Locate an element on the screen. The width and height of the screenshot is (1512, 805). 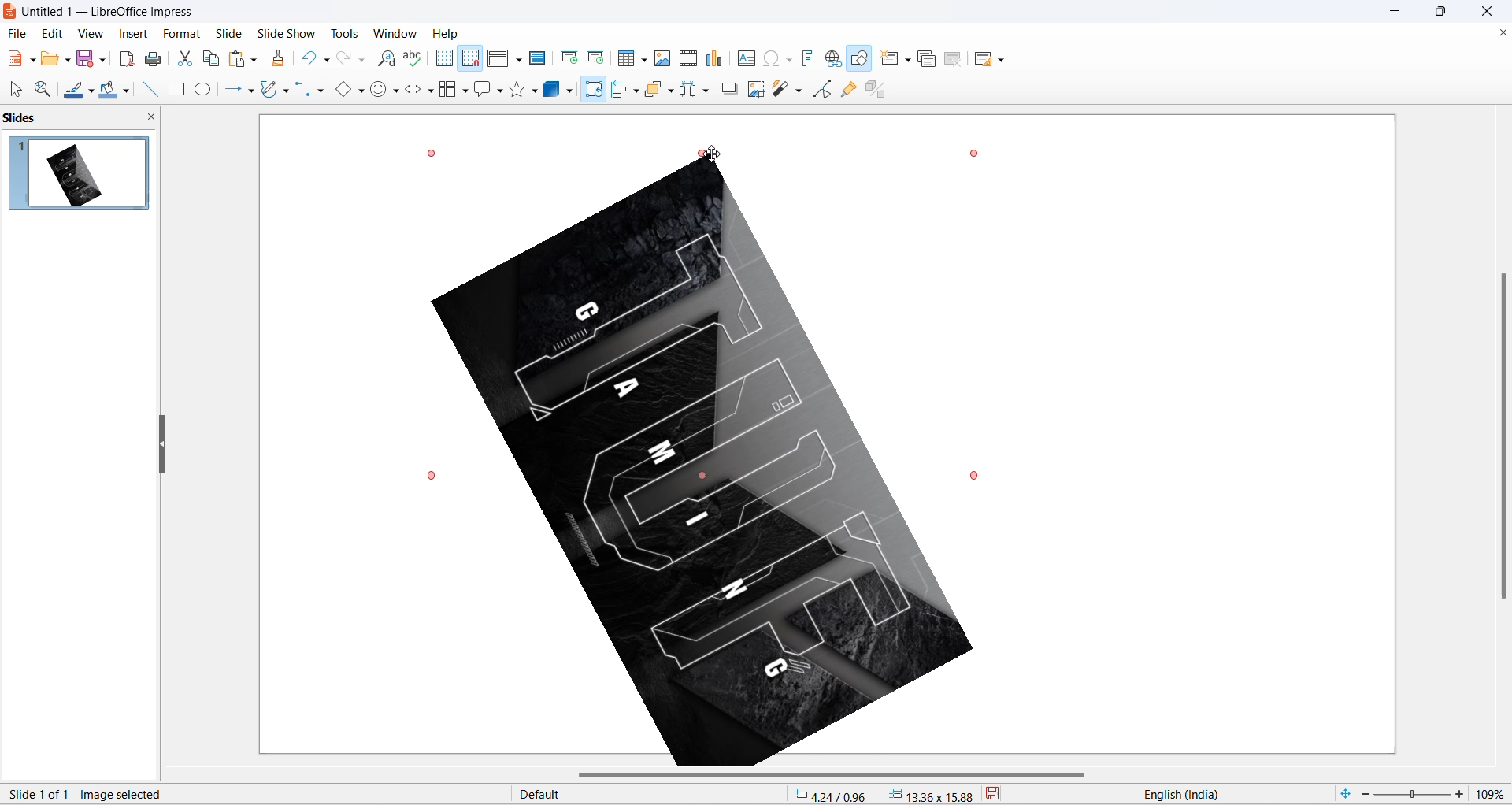
redo options is located at coordinates (363, 61).